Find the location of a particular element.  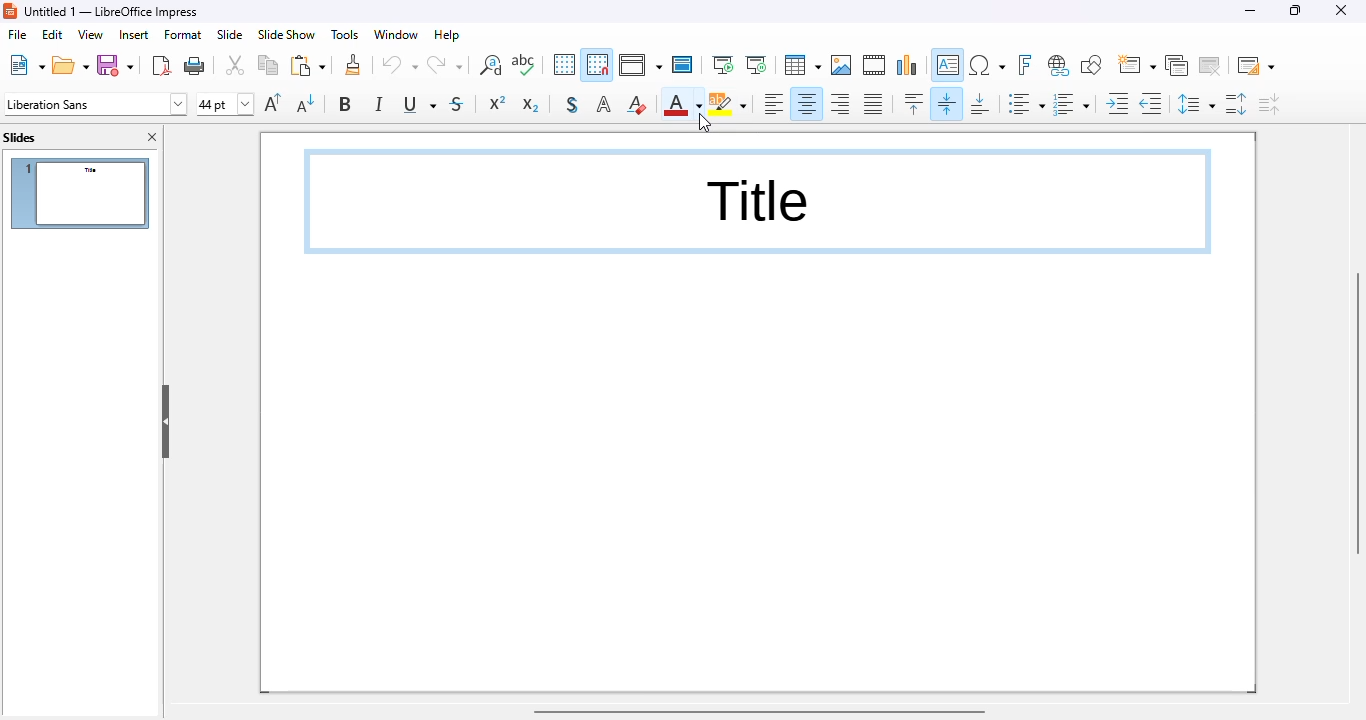

strikethrough is located at coordinates (458, 103).